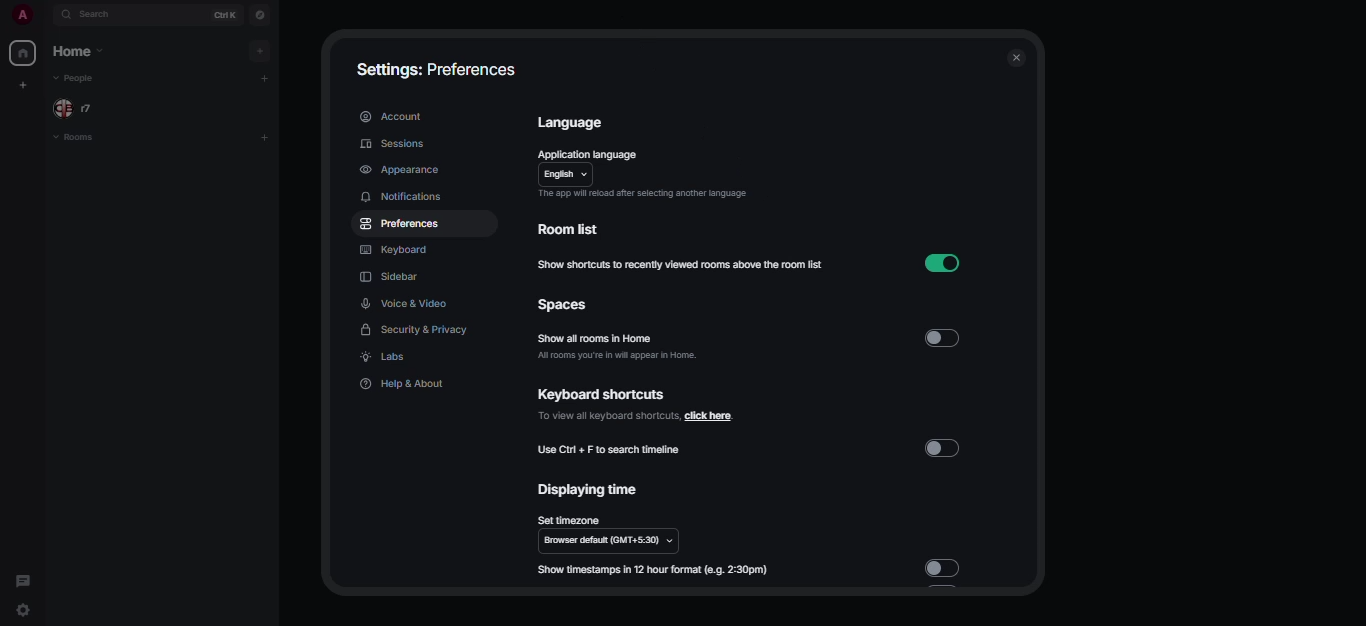  Describe the element at coordinates (387, 357) in the screenshot. I see `labs` at that location.